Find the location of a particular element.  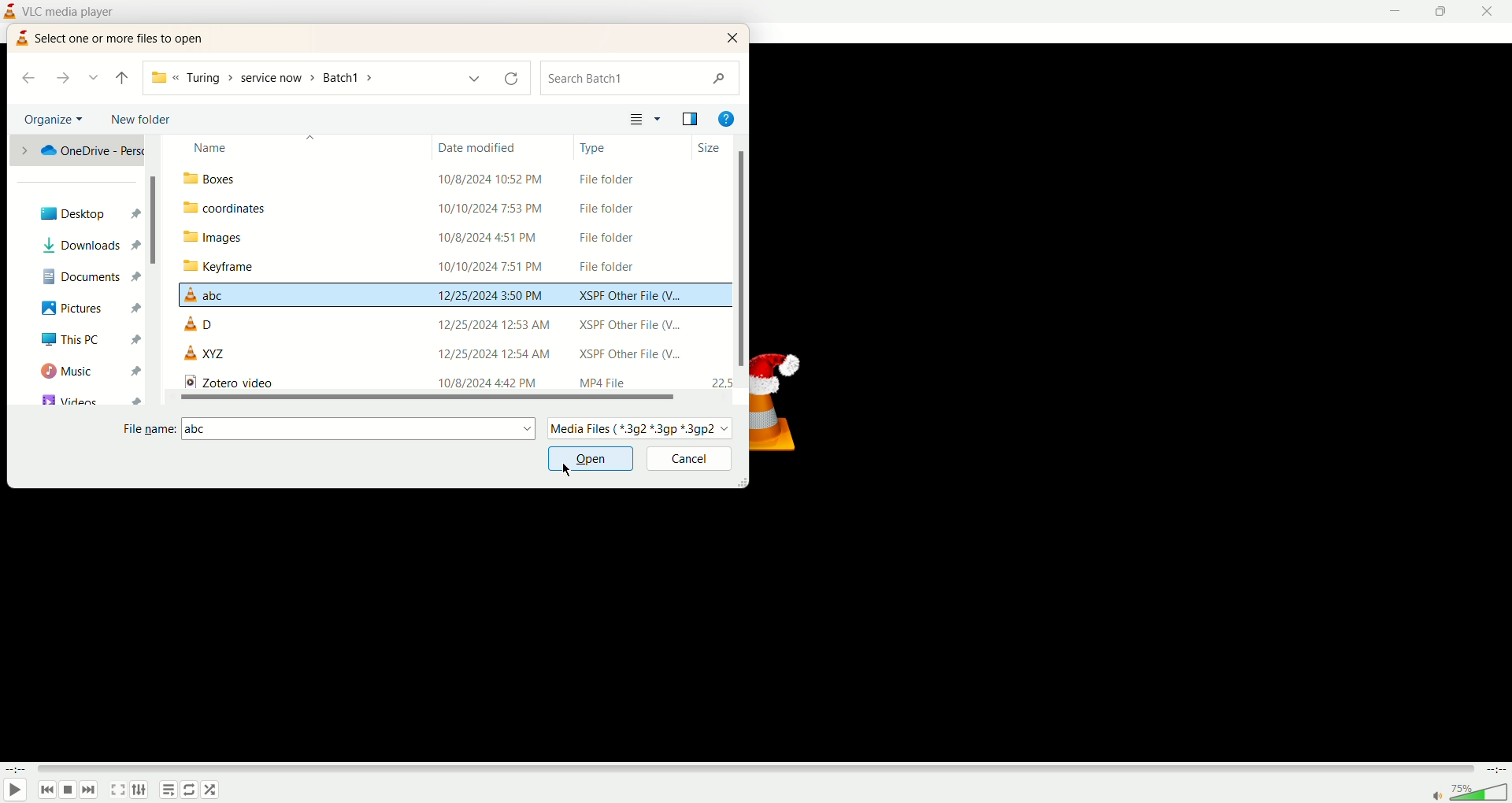

progress bar is located at coordinates (754, 769).